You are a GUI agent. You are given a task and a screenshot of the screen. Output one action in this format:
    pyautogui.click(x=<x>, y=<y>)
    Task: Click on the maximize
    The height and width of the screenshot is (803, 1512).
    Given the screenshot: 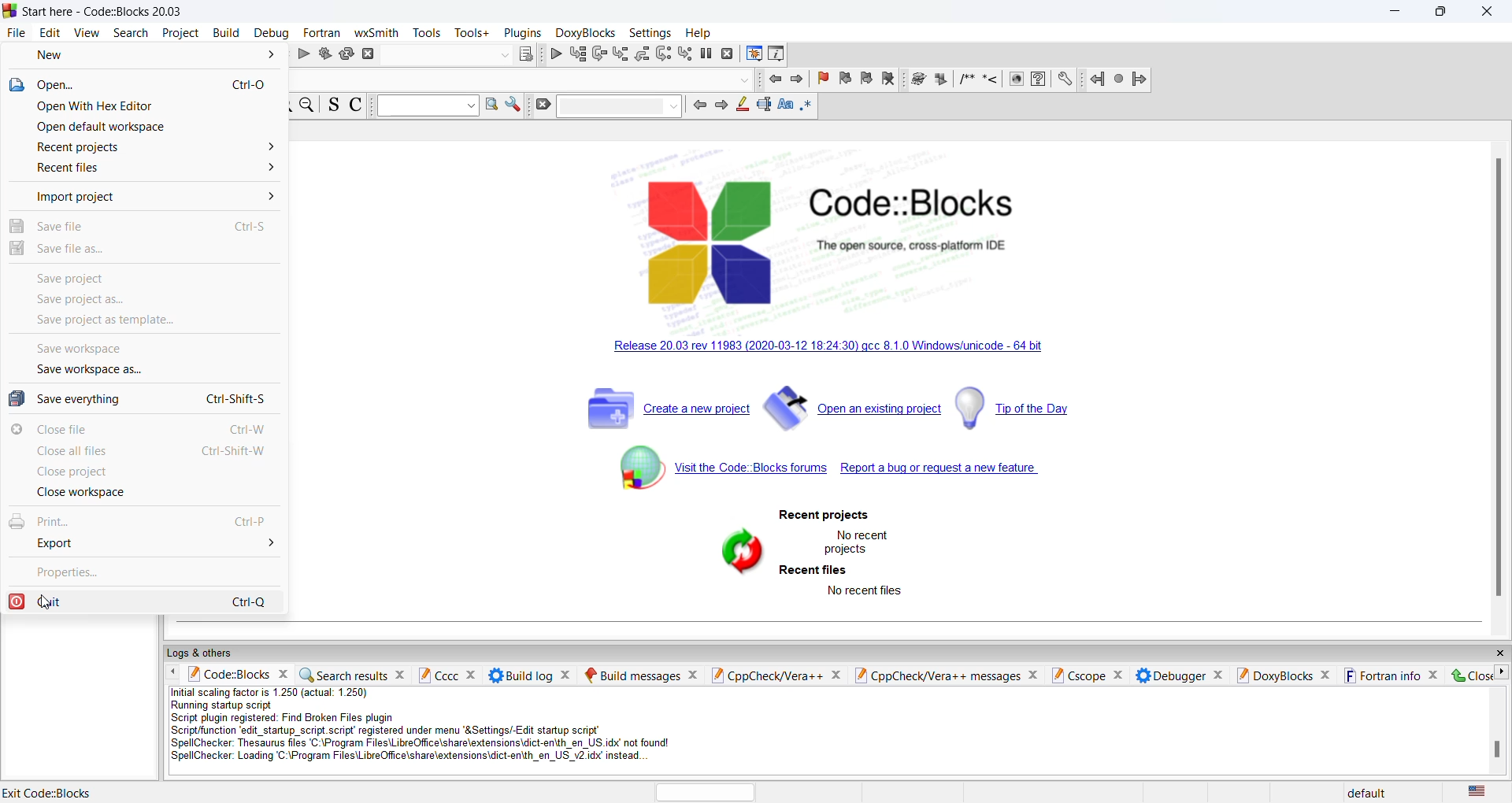 What is the action you would take?
    pyautogui.click(x=1442, y=13)
    